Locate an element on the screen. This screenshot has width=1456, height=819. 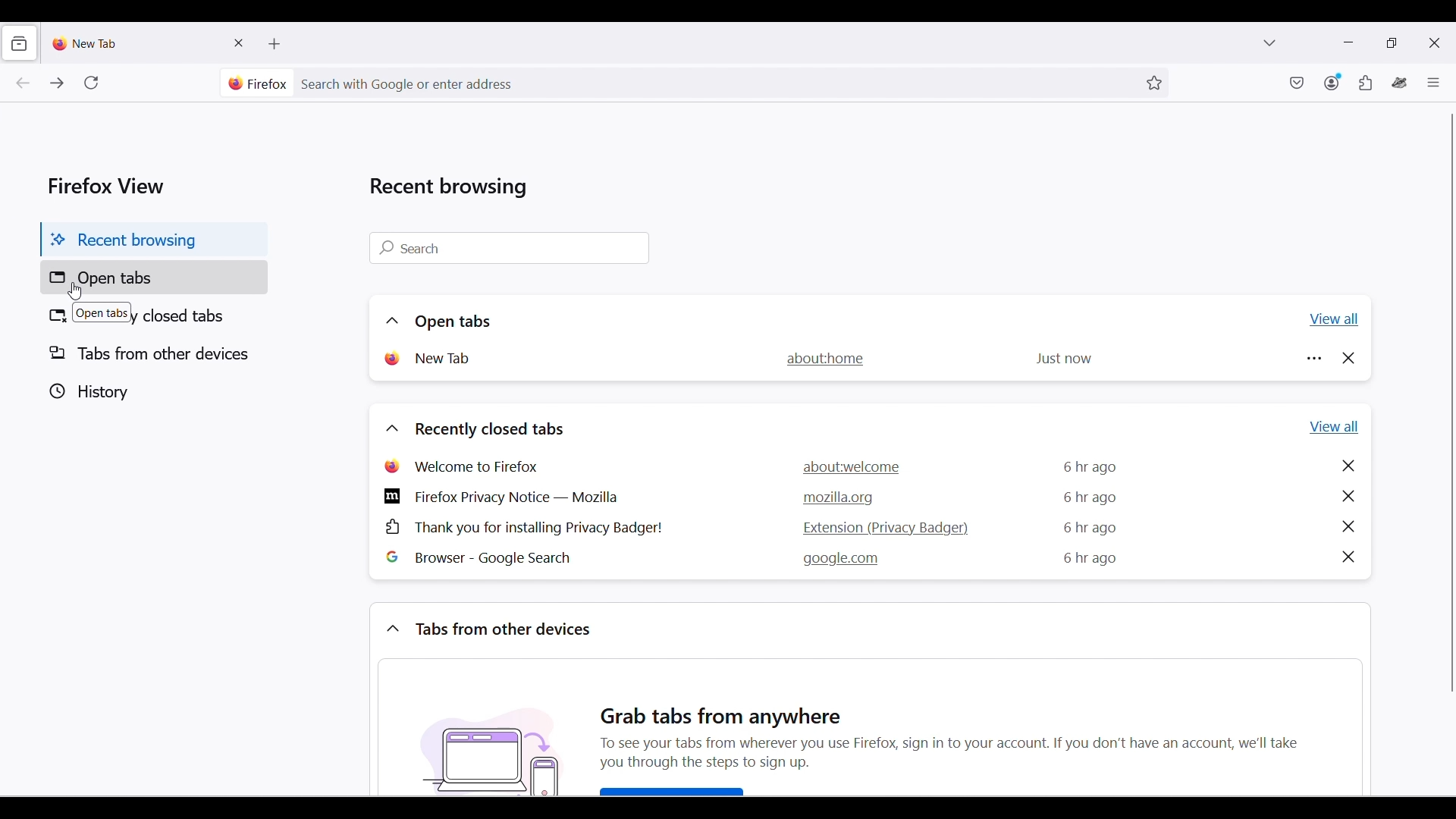
Tabs from other devices is located at coordinates (153, 353).